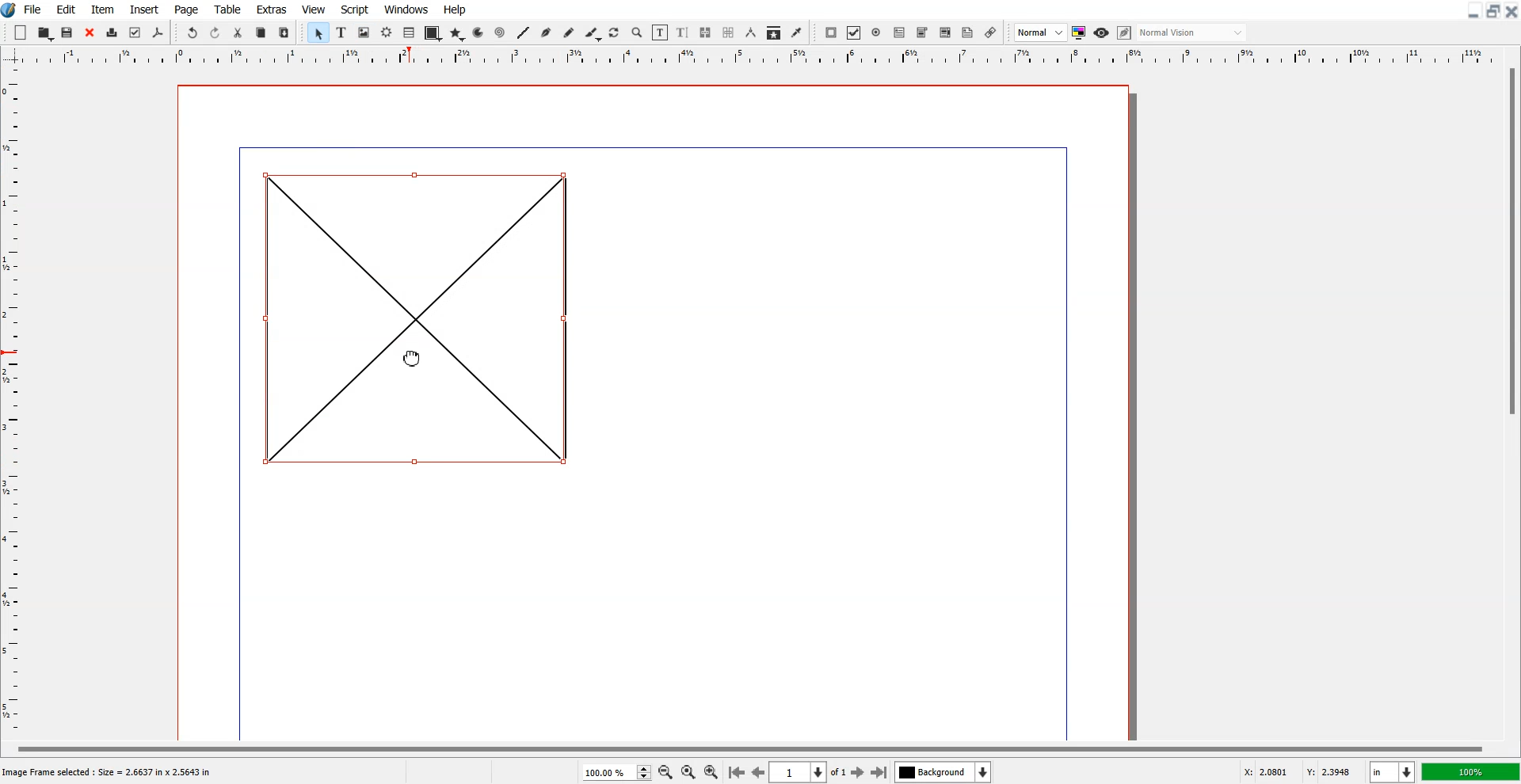 Image resolution: width=1521 pixels, height=784 pixels. Describe the element at coordinates (750, 32) in the screenshot. I see `Measurements ` at that location.